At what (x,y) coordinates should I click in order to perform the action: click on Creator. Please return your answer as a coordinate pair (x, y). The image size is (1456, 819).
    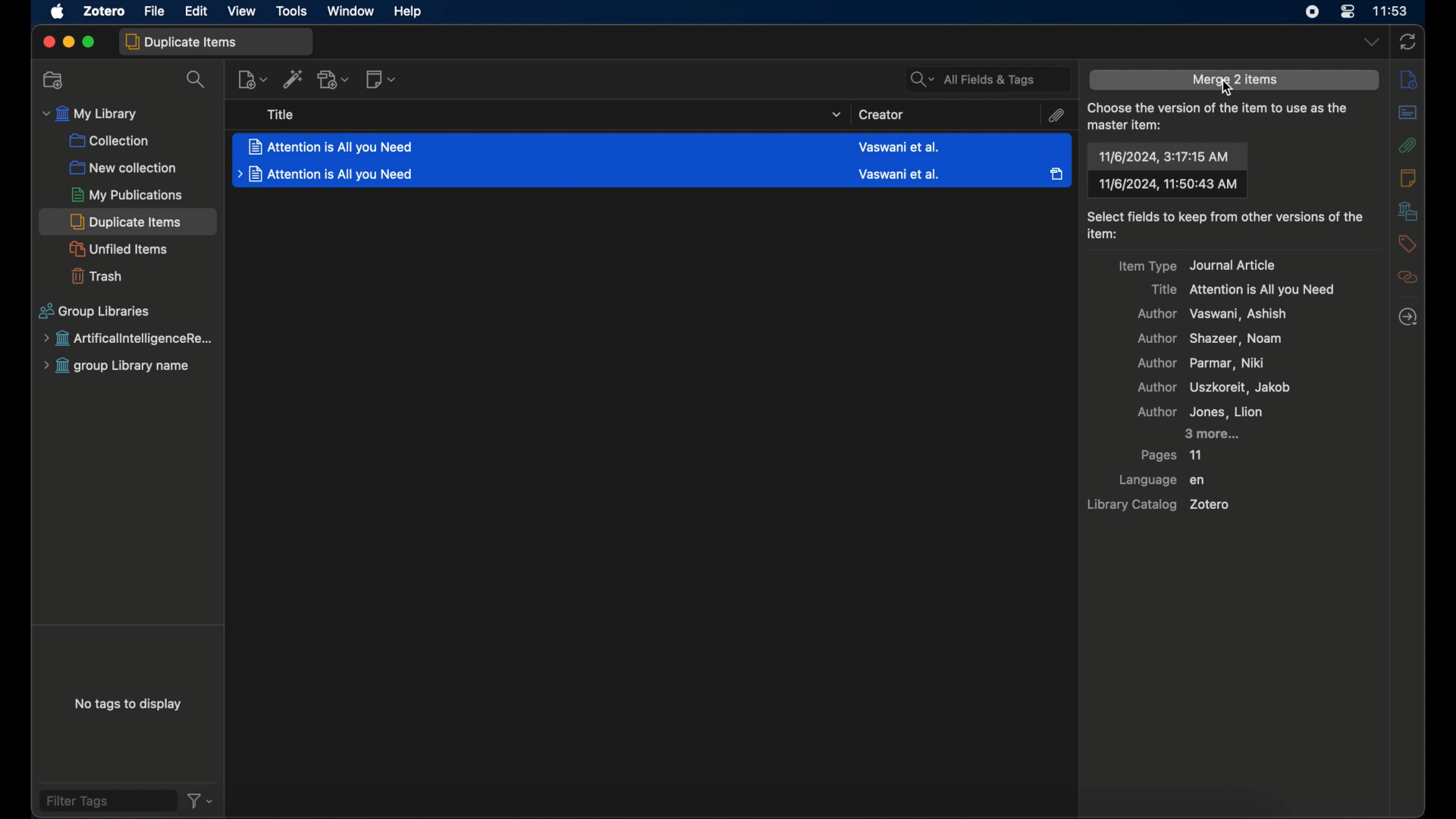
    Looking at the image, I should click on (888, 114).